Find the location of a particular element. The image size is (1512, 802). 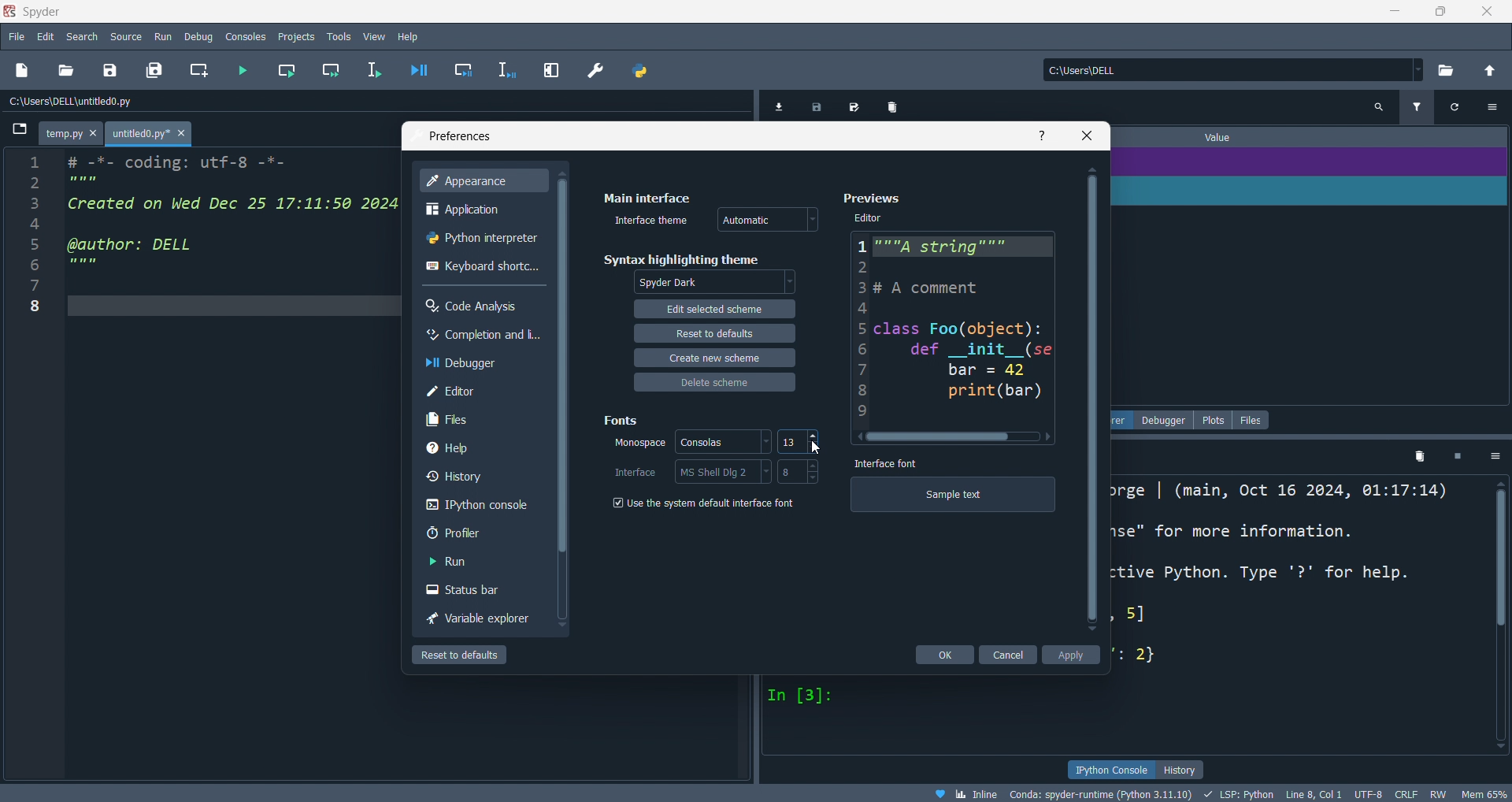

monospace: consolas is located at coordinates (687, 444).